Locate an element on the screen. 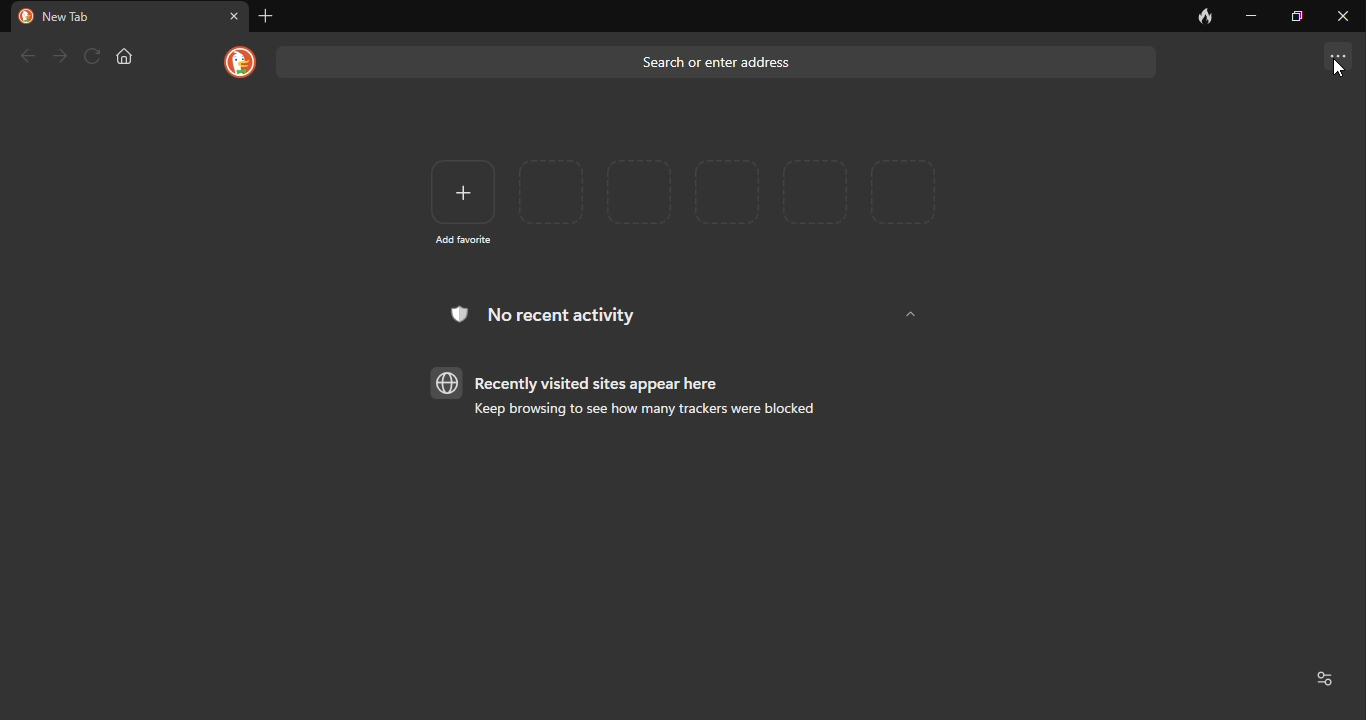 This screenshot has height=720, width=1366. minimize is located at coordinates (1252, 14).